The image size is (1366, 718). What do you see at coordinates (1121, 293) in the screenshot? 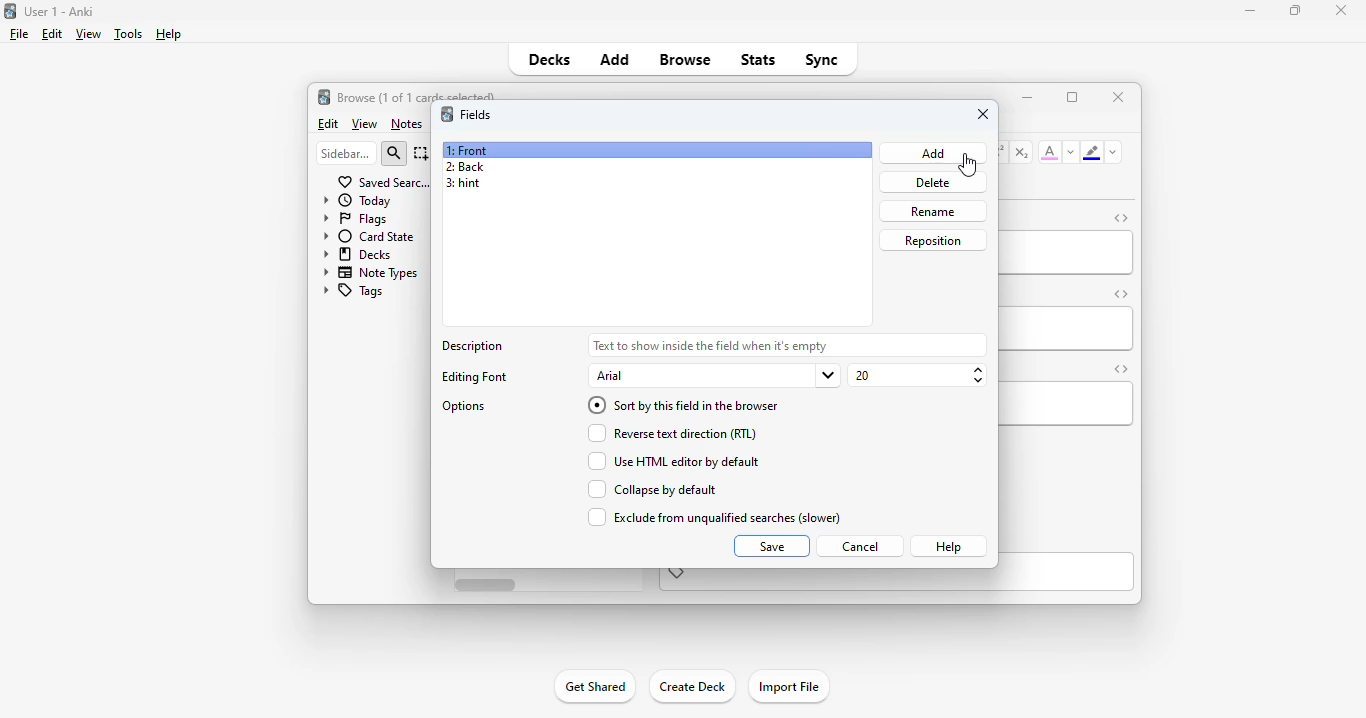
I see `toggle HTML editor` at bounding box center [1121, 293].